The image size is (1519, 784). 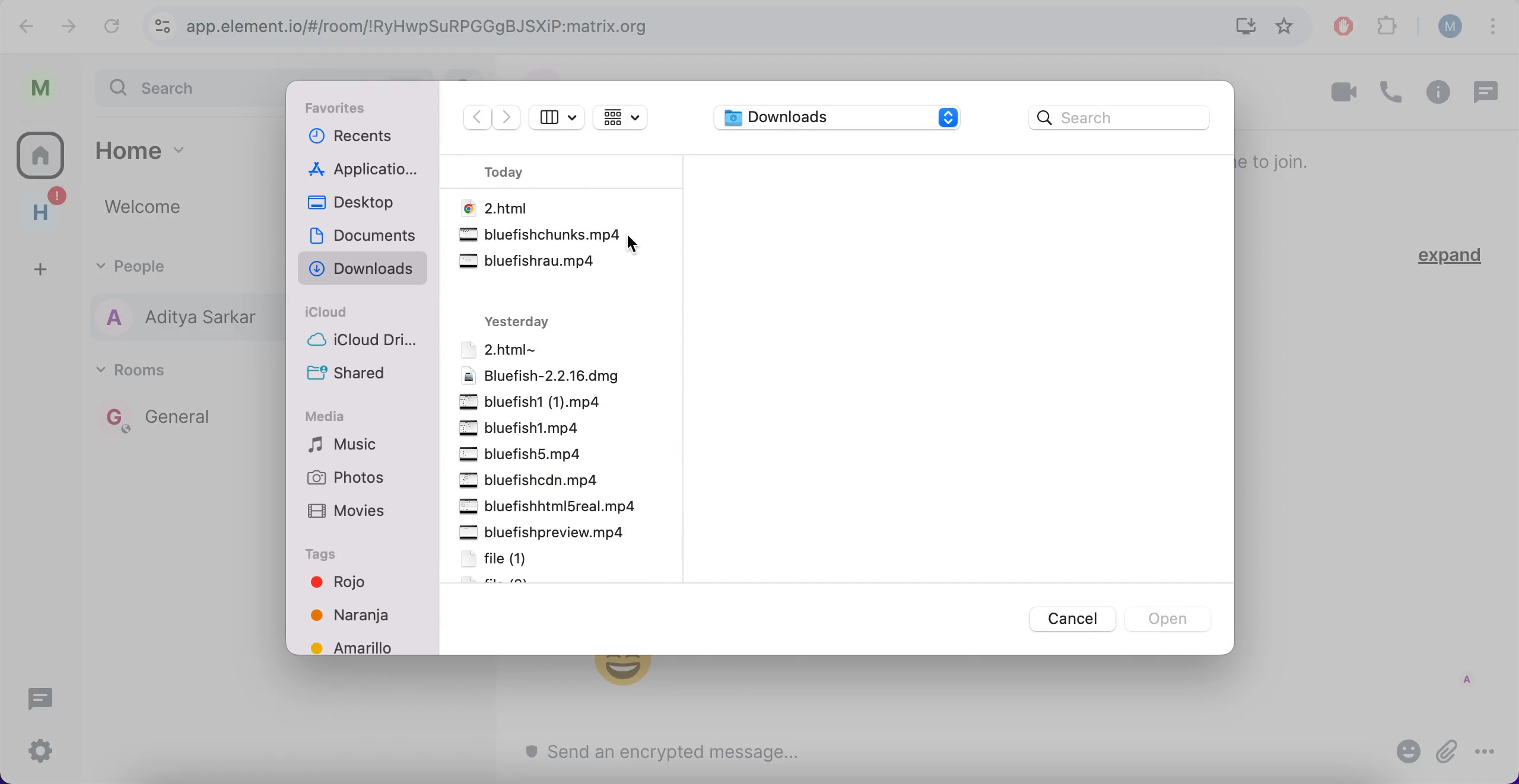 What do you see at coordinates (1450, 27) in the screenshot?
I see `user` at bounding box center [1450, 27].